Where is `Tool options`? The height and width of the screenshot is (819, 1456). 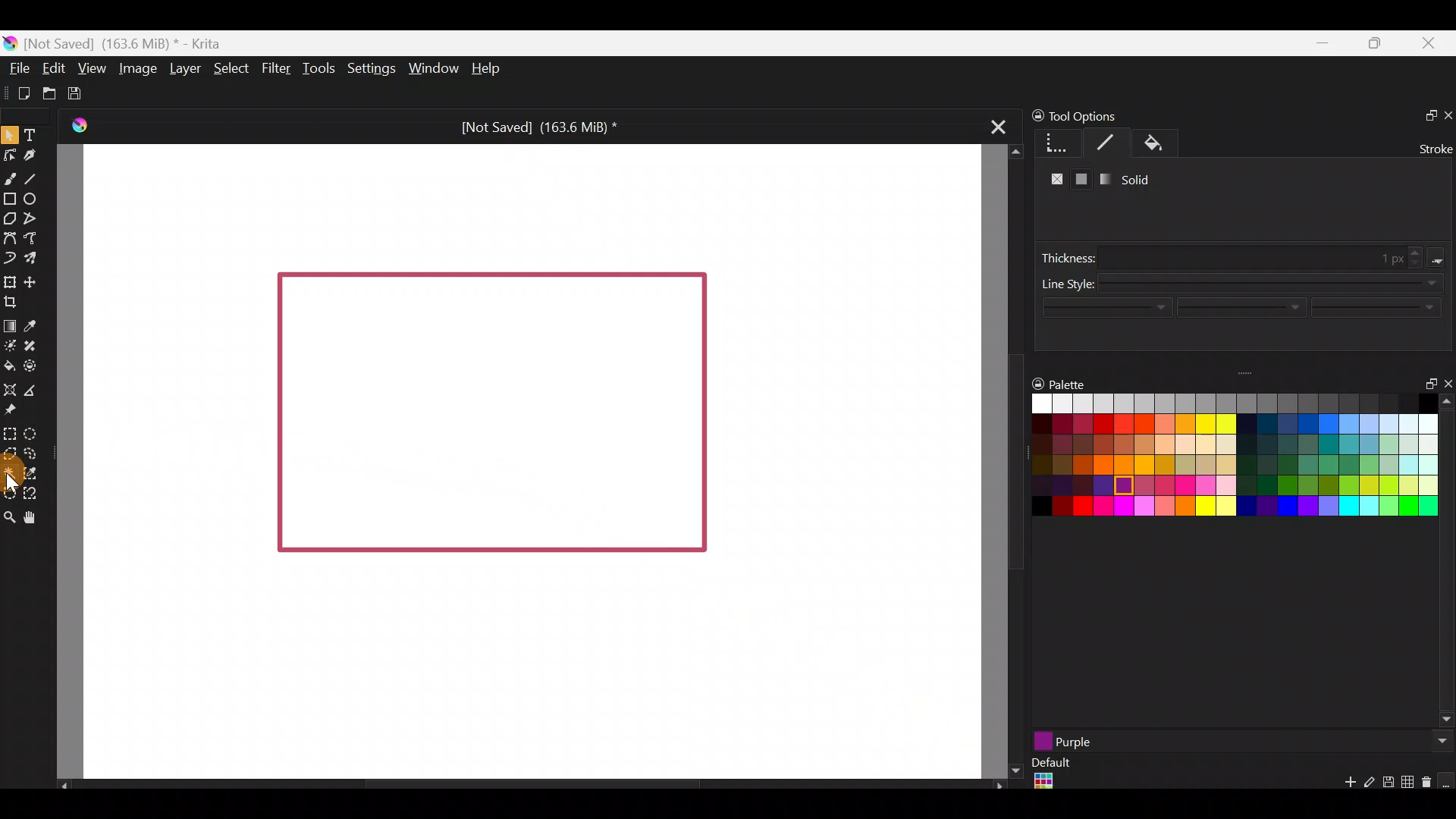 Tool options is located at coordinates (1116, 116).